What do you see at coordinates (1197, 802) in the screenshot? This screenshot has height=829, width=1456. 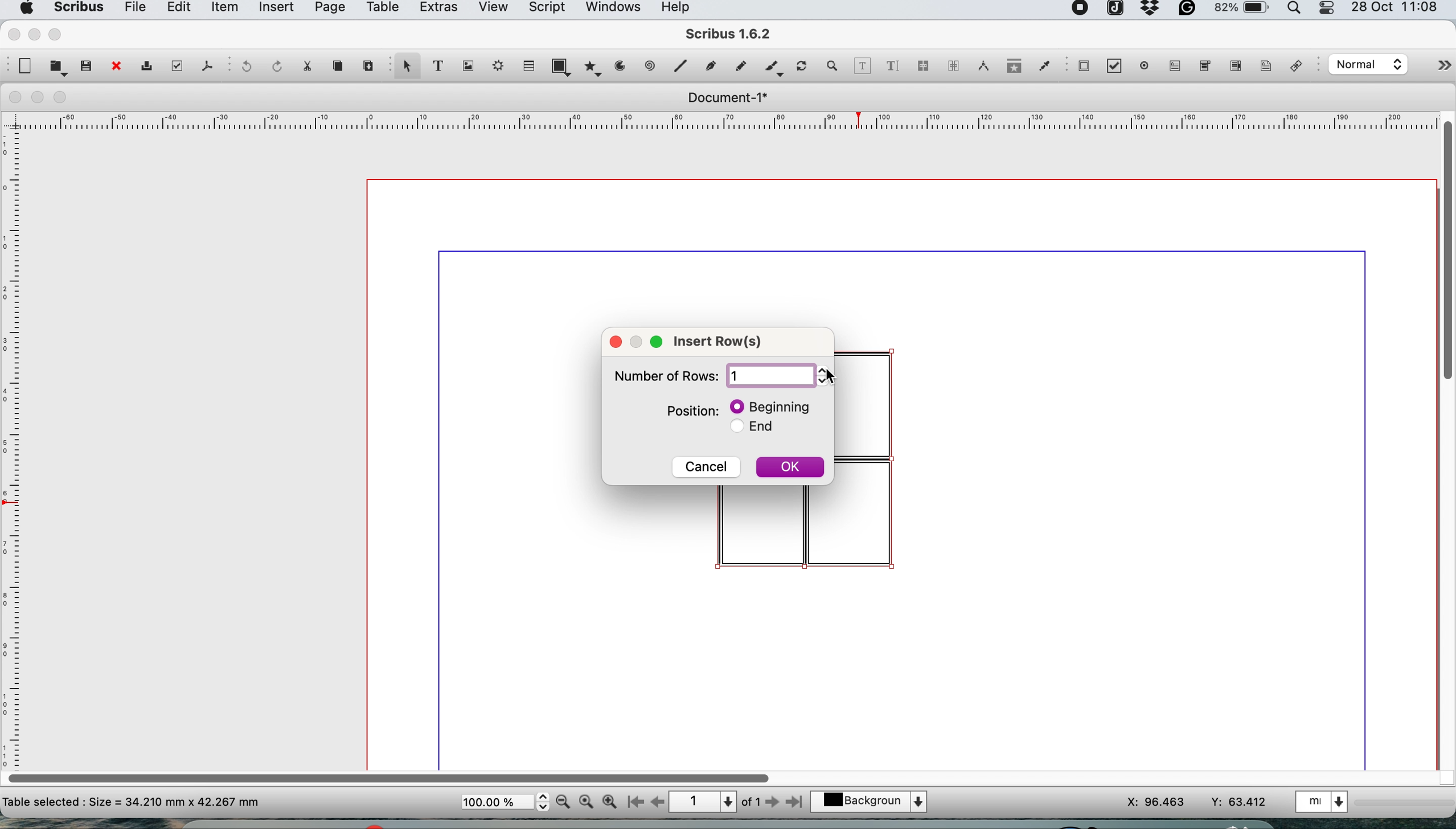 I see `xy coordinates` at bounding box center [1197, 802].